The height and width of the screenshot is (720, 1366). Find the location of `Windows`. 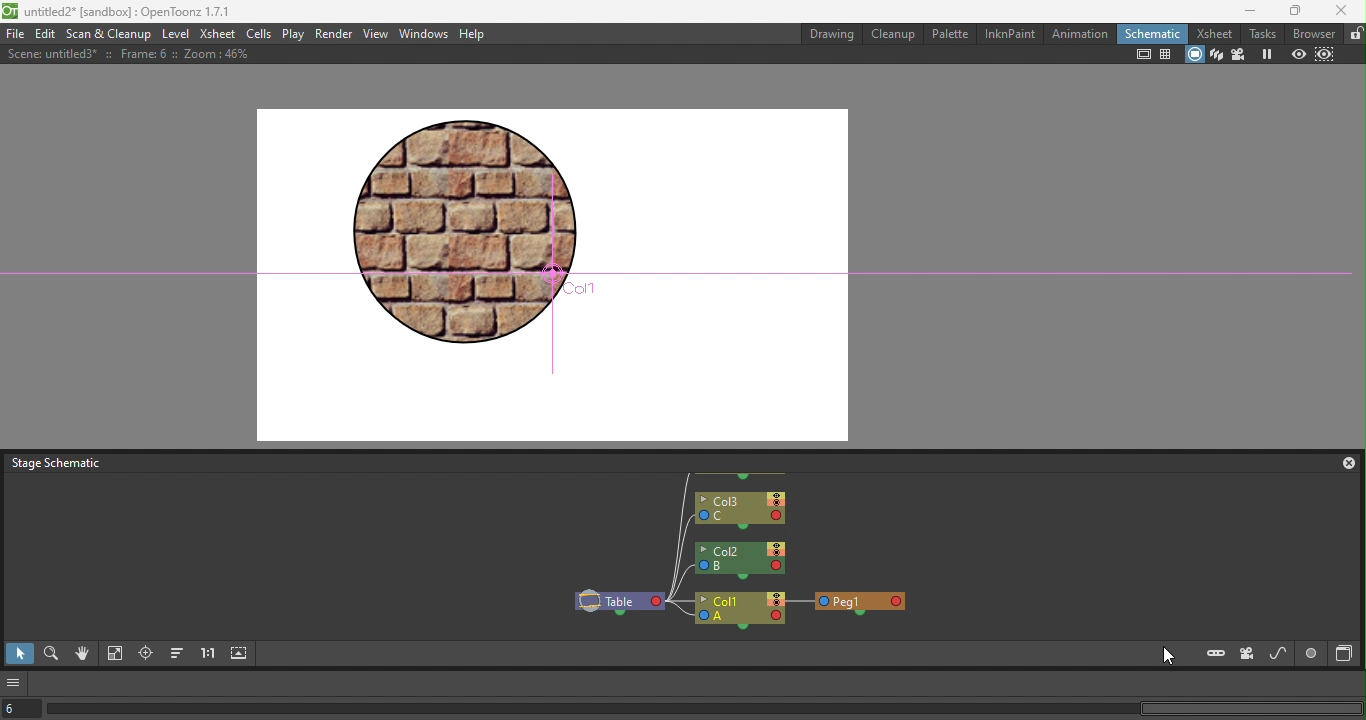

Windows is located at coordinates (426, 34).